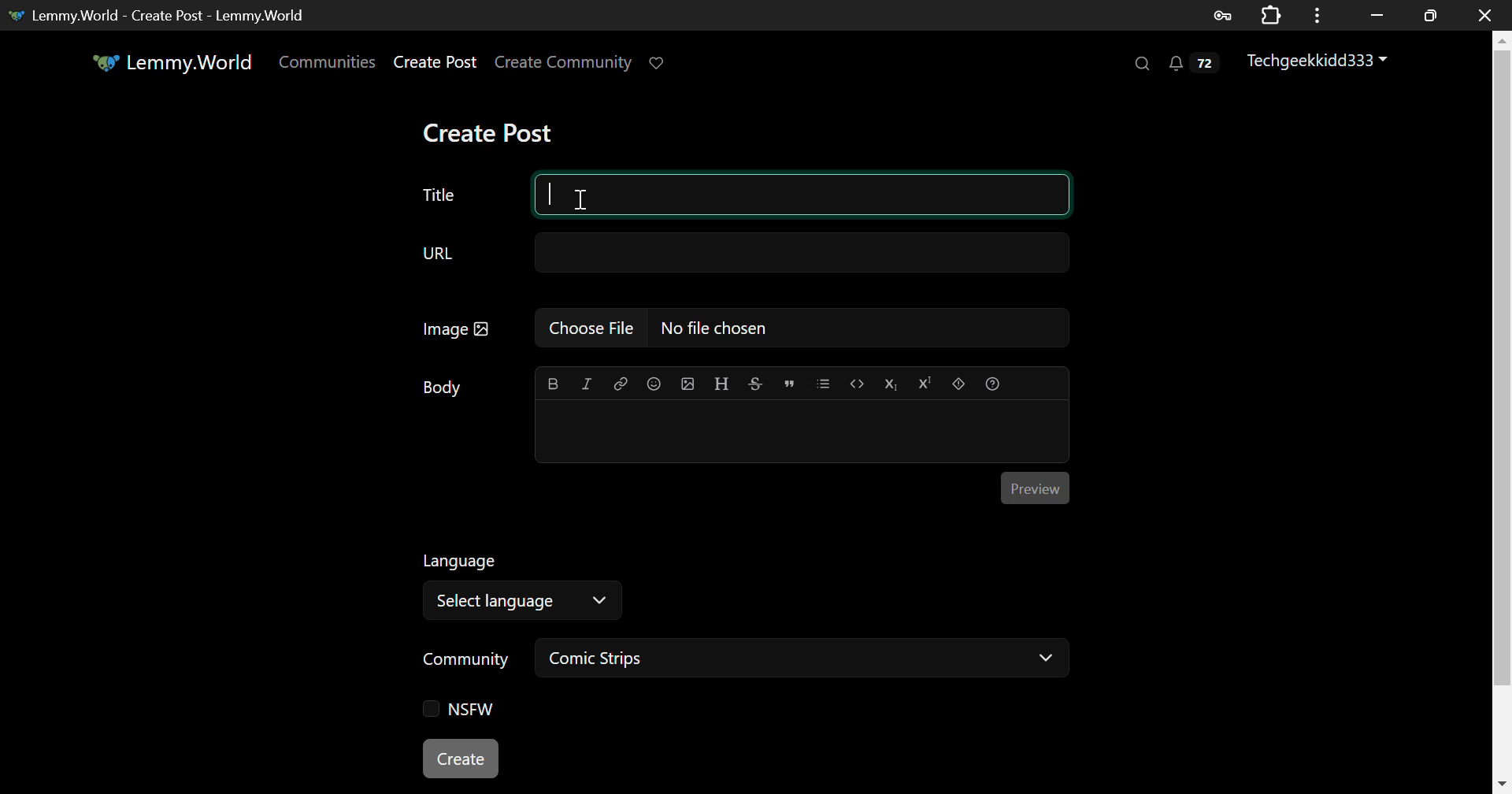 Image resolution: width=1512 pixels, height=794 pixels. What do you see at coordinates (439, 195) in the screenshot?
I see `Title` at bounding box center [439, 195].